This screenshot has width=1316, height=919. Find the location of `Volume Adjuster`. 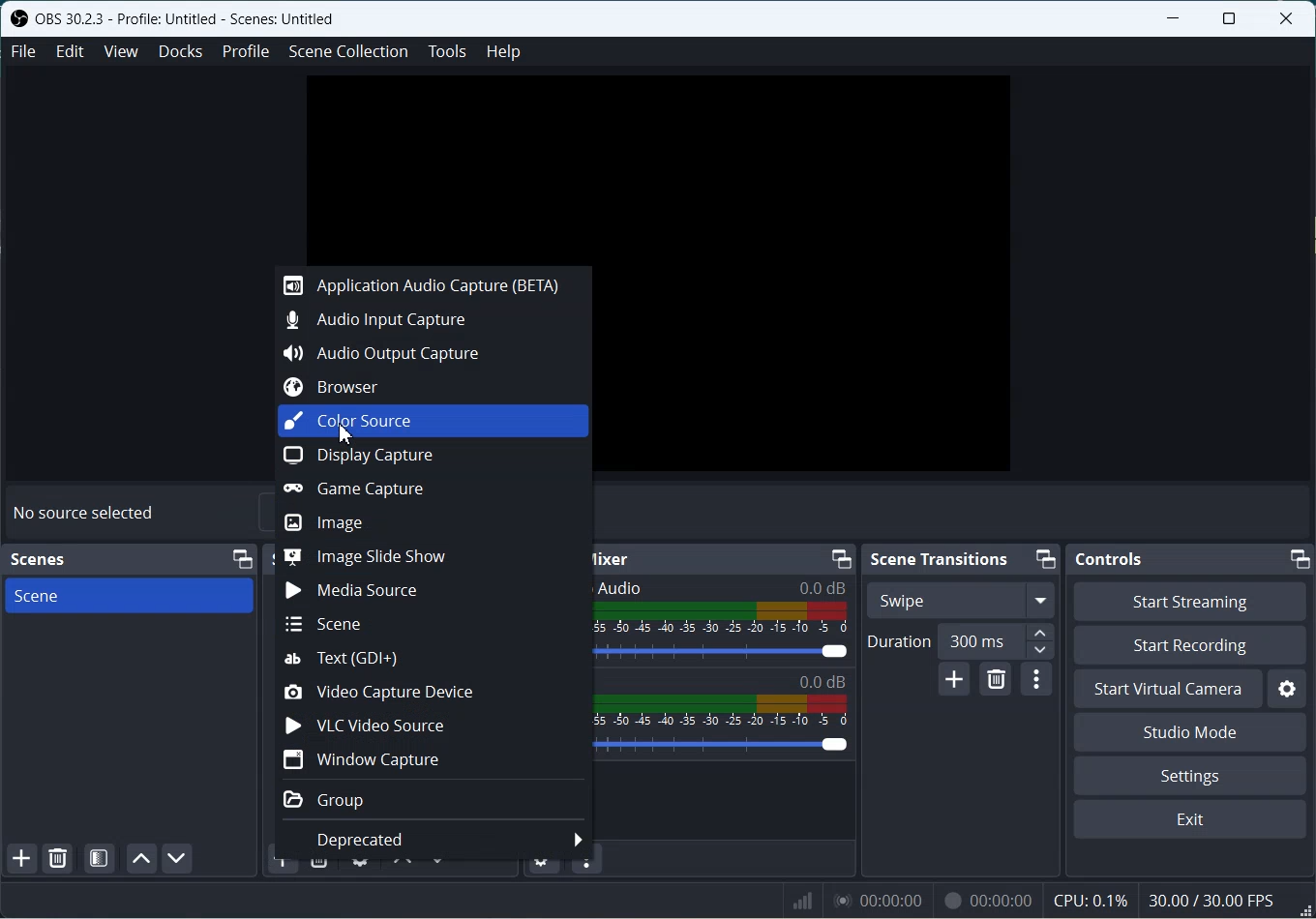

Volume Adjuster is located at coordinates (727, 653).